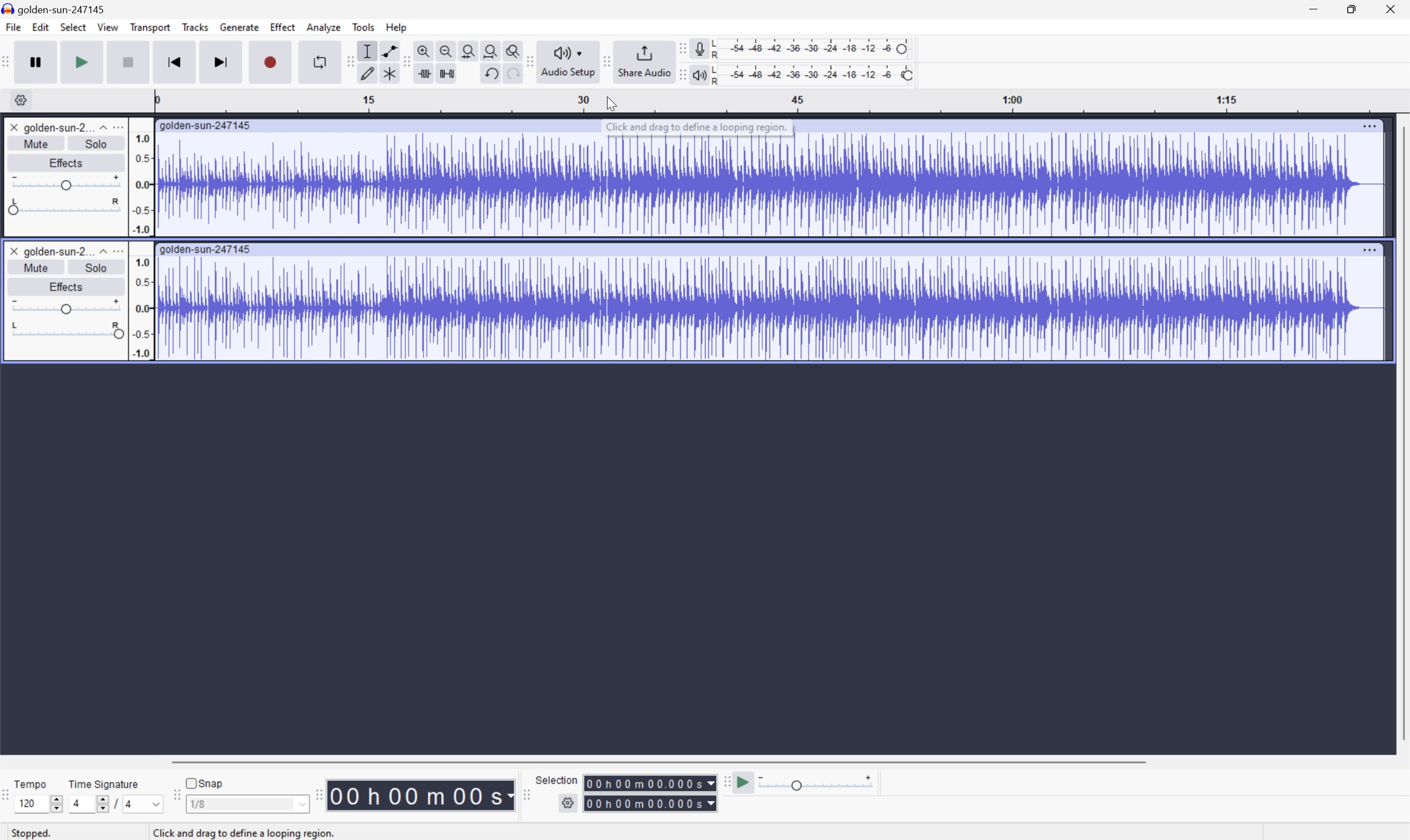 The width and height of the screenshot is (1410, 840). What do you see at coordinates (318, 794) in the screenshot?
I see `` at bounding box center [318, 794].